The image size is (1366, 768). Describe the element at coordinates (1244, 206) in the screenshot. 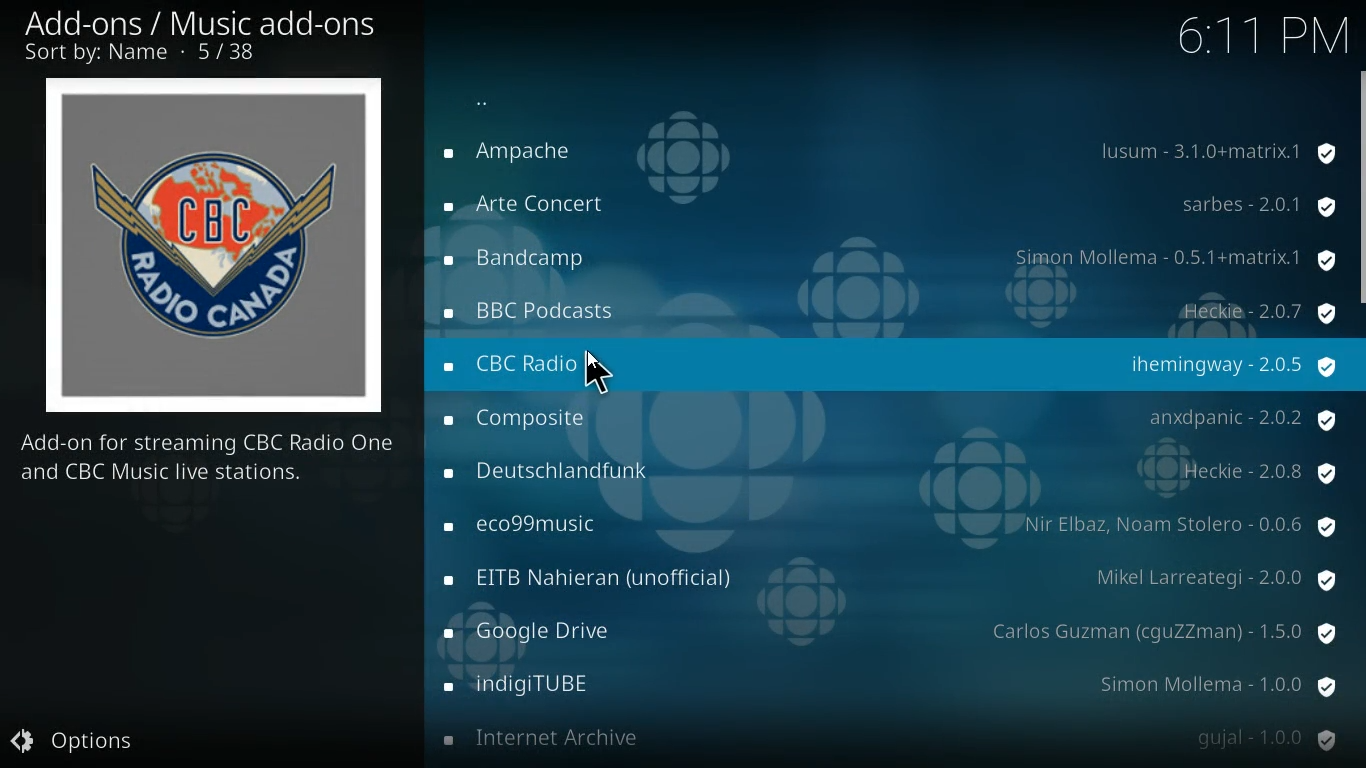

I see `protection` at that location.